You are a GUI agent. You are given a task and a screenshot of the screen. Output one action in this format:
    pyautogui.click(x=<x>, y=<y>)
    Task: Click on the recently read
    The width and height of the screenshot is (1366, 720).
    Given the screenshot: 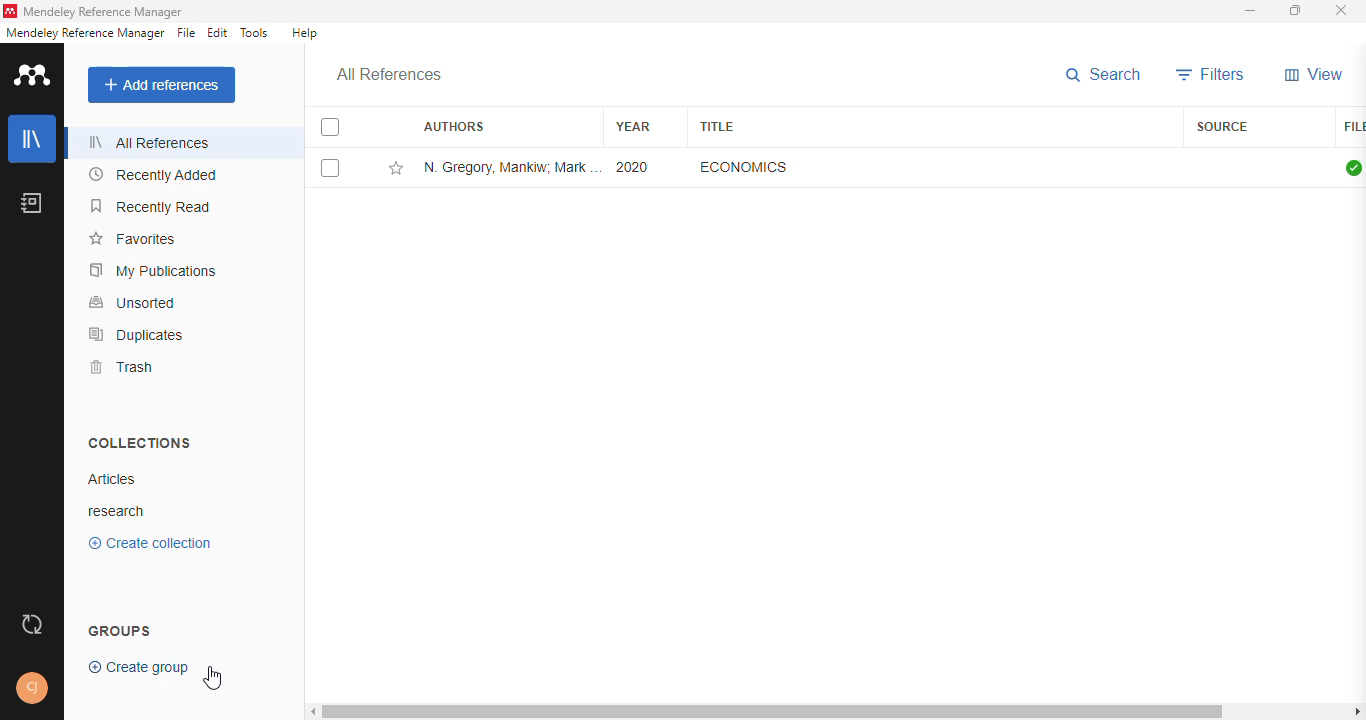 What is the action you would take?
    pyautogui.click(x=151, y=206)
    